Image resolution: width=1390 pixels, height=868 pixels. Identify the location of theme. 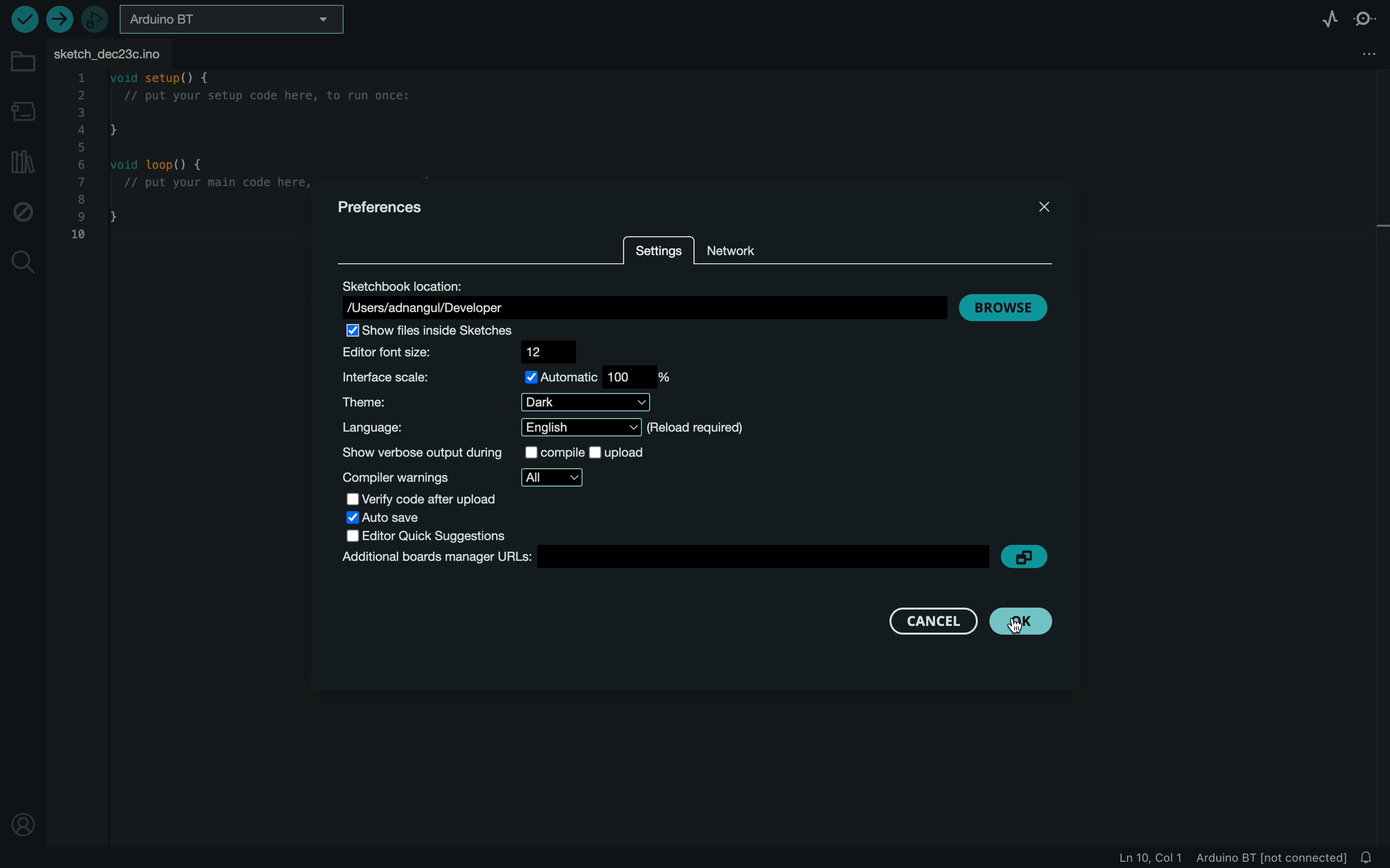
(505, 402).